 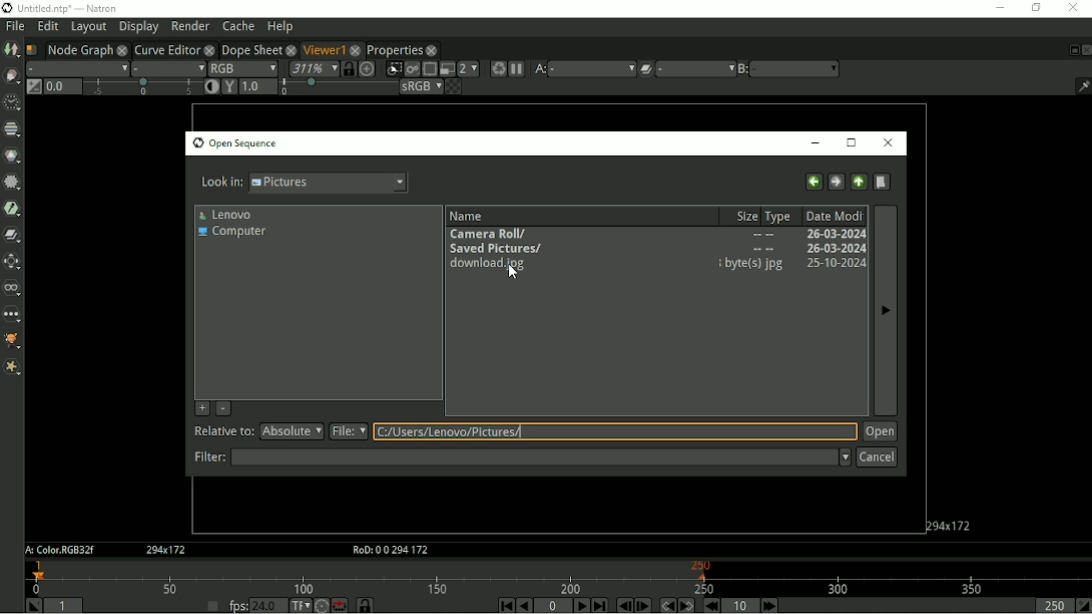 What do you see at coordinates (813, 181) in the screenshot?
I see `Back` at bounding box center [813, 181].